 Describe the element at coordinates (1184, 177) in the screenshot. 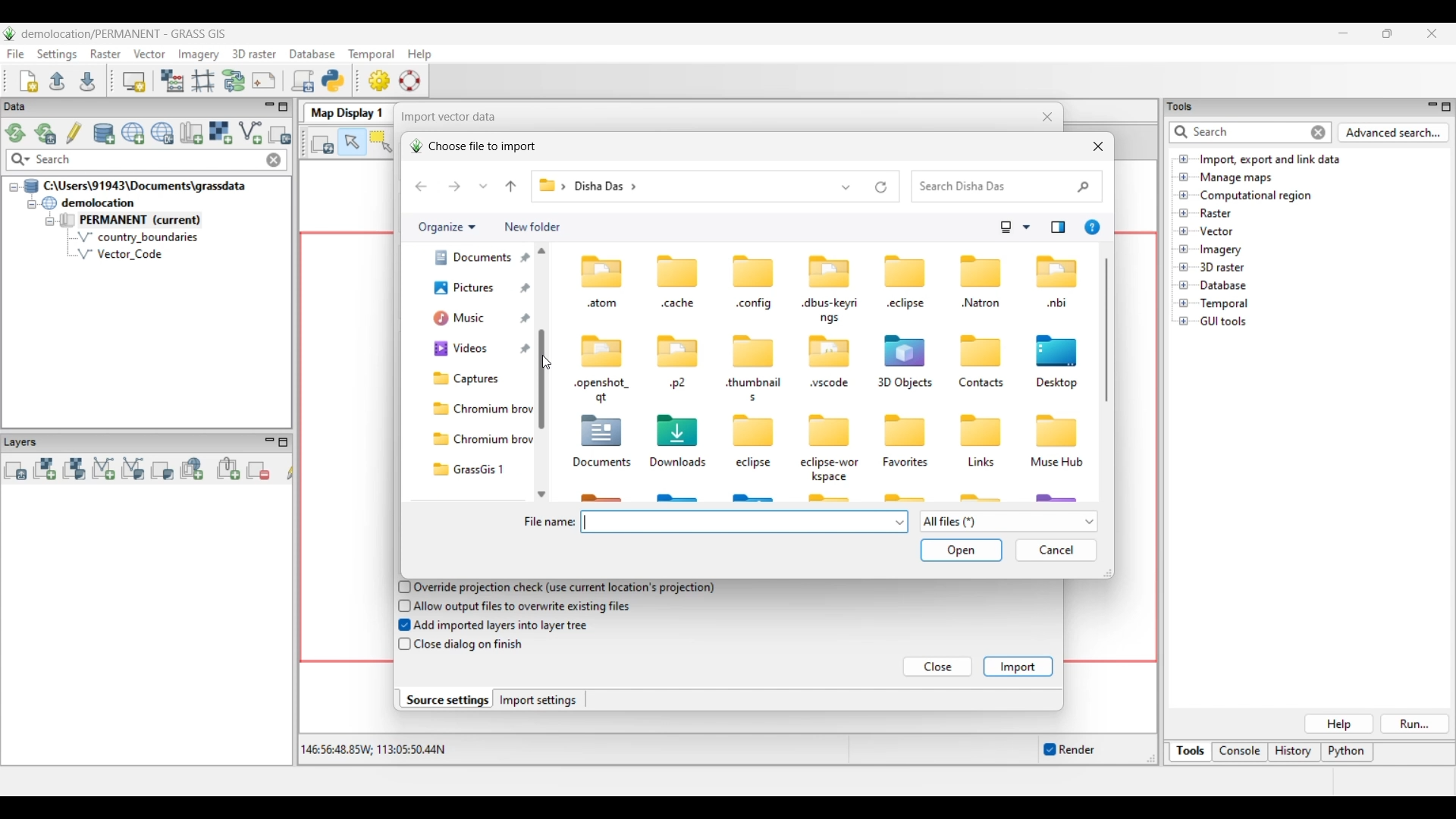

I see `Click to open Manage maps` at that location.